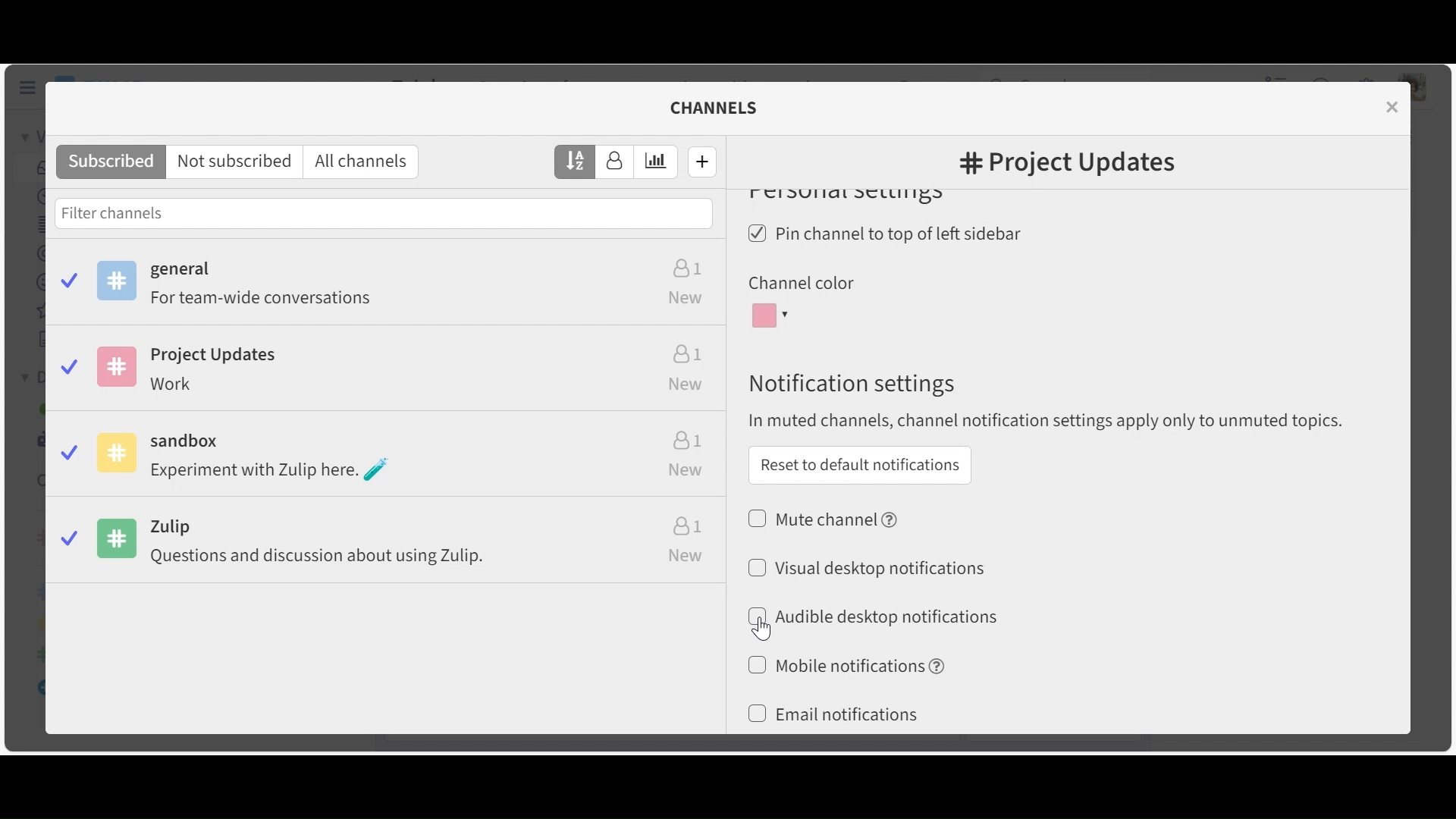  What do you see at coordinates (890, 235) in the screenshot?
I see `(un)select Pin channel to top left sidebar` at bounding box center [890, 235].